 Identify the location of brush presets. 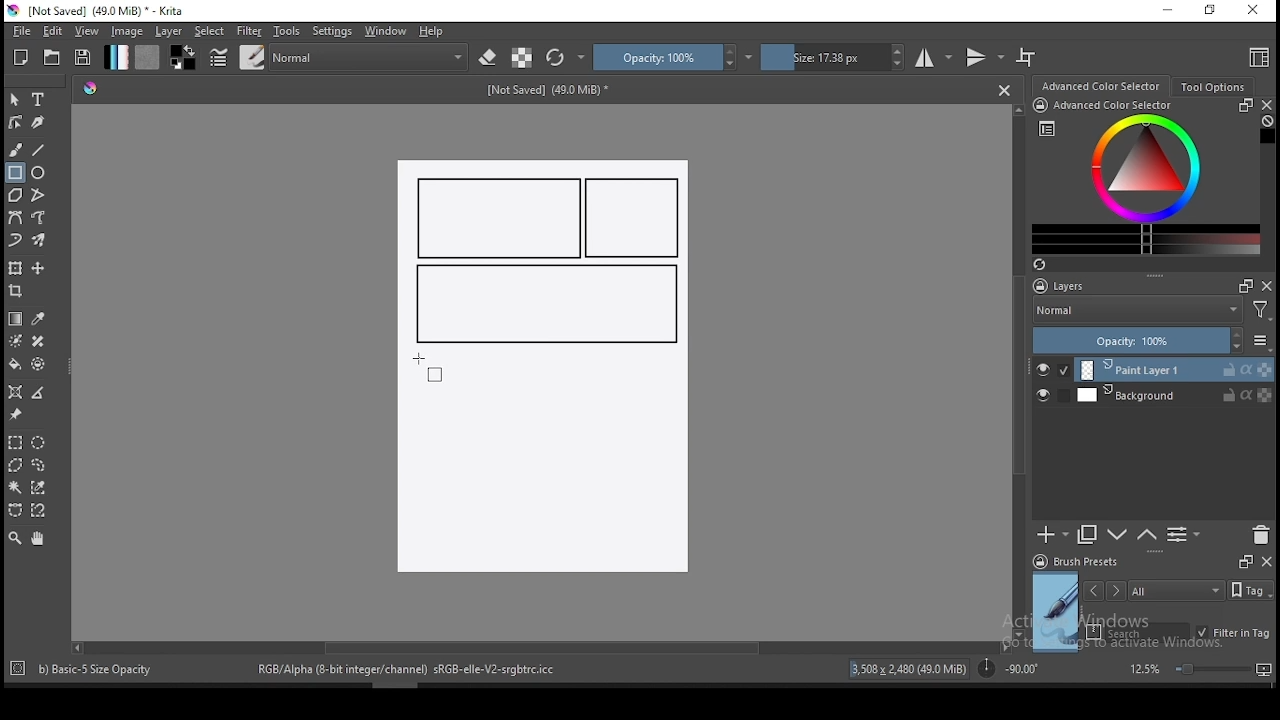
(1082, 562).